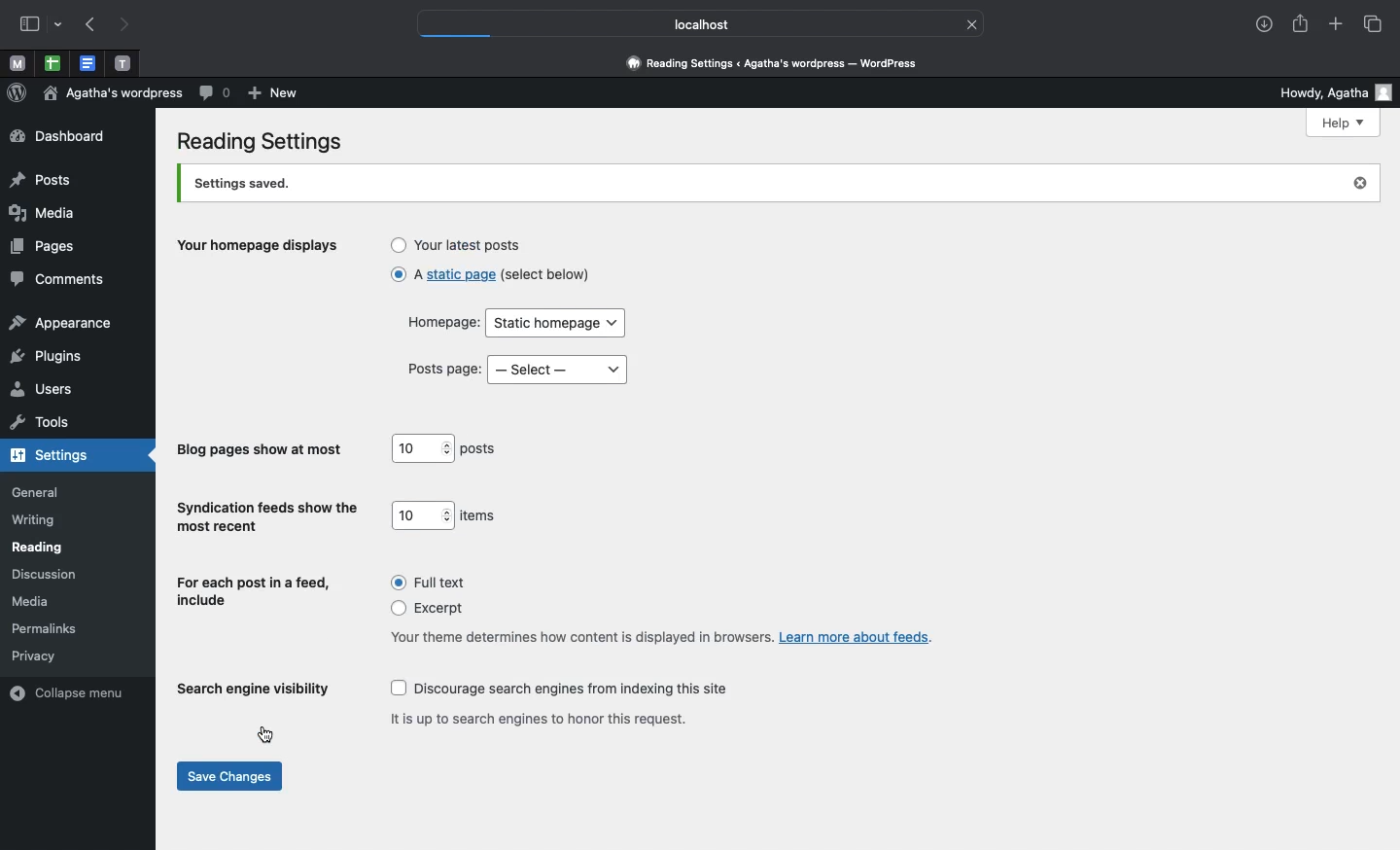  Describe the element at coordinates (93, 25) in the screenshot. I see `Previous page` at that location.